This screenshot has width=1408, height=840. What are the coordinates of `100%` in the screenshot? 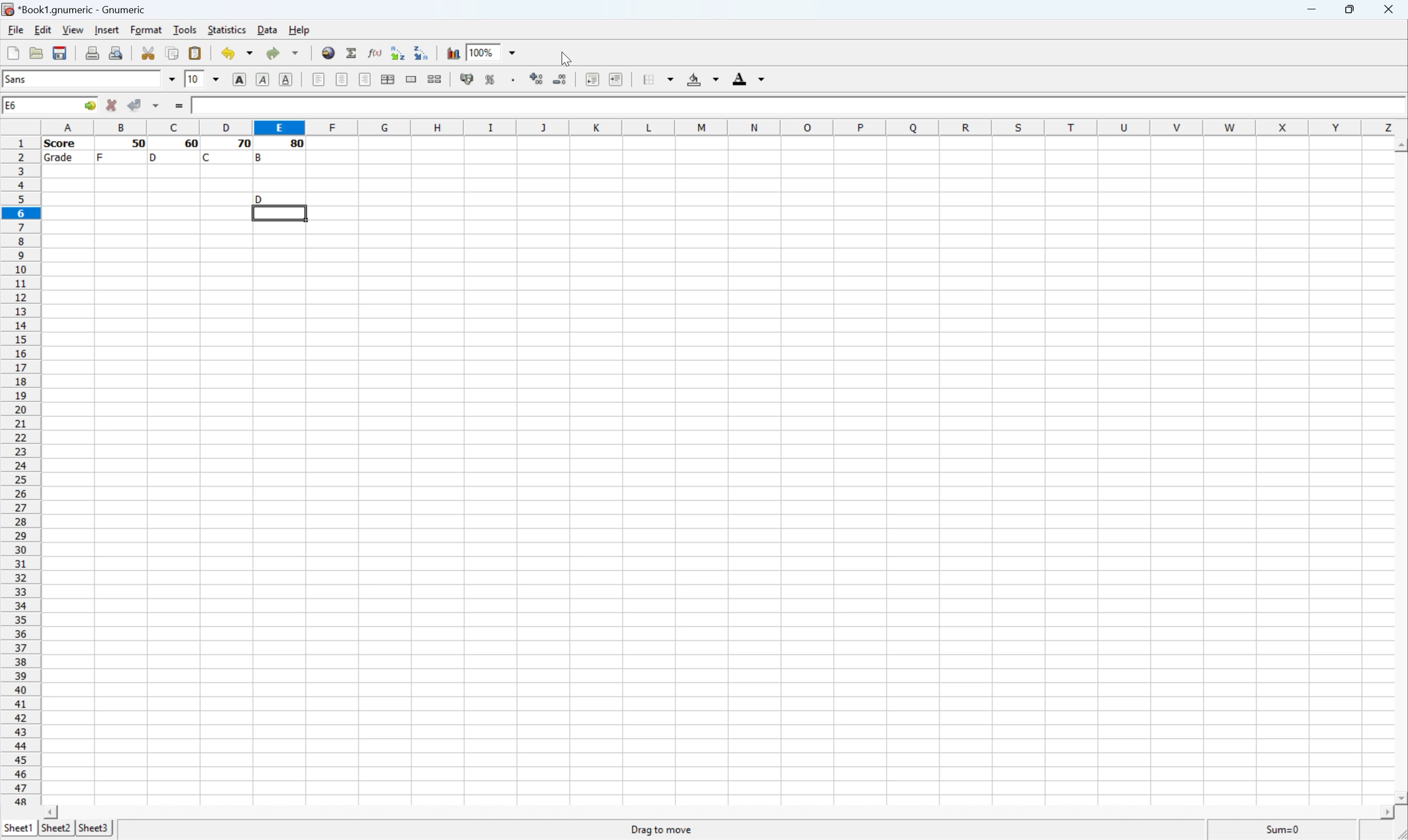 It's located at (483, 52).